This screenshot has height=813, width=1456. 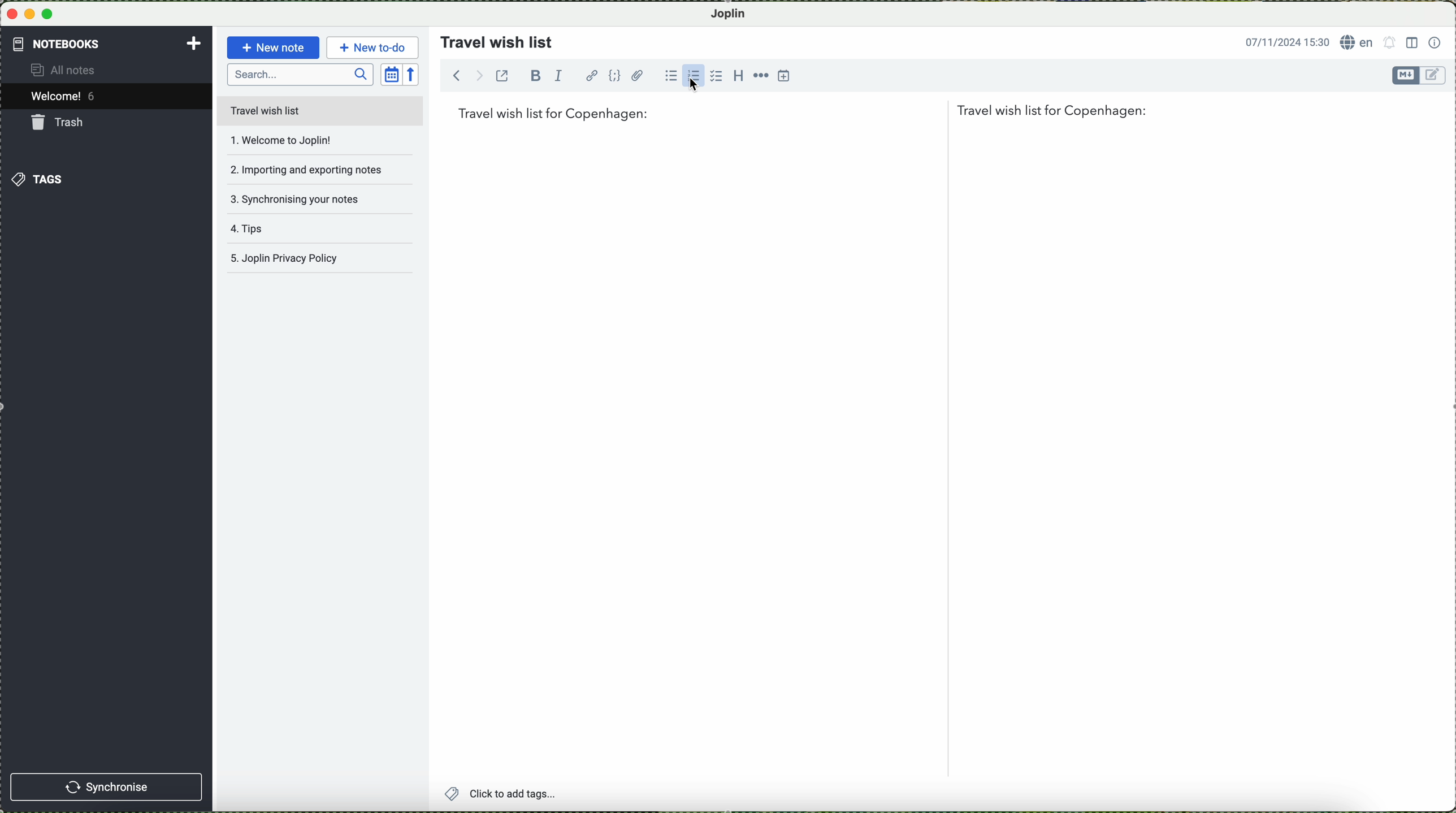 What do you see at coordinates (108, 786) in the screenshot?
I see `synchronise button` at bounding box center [108, 786].